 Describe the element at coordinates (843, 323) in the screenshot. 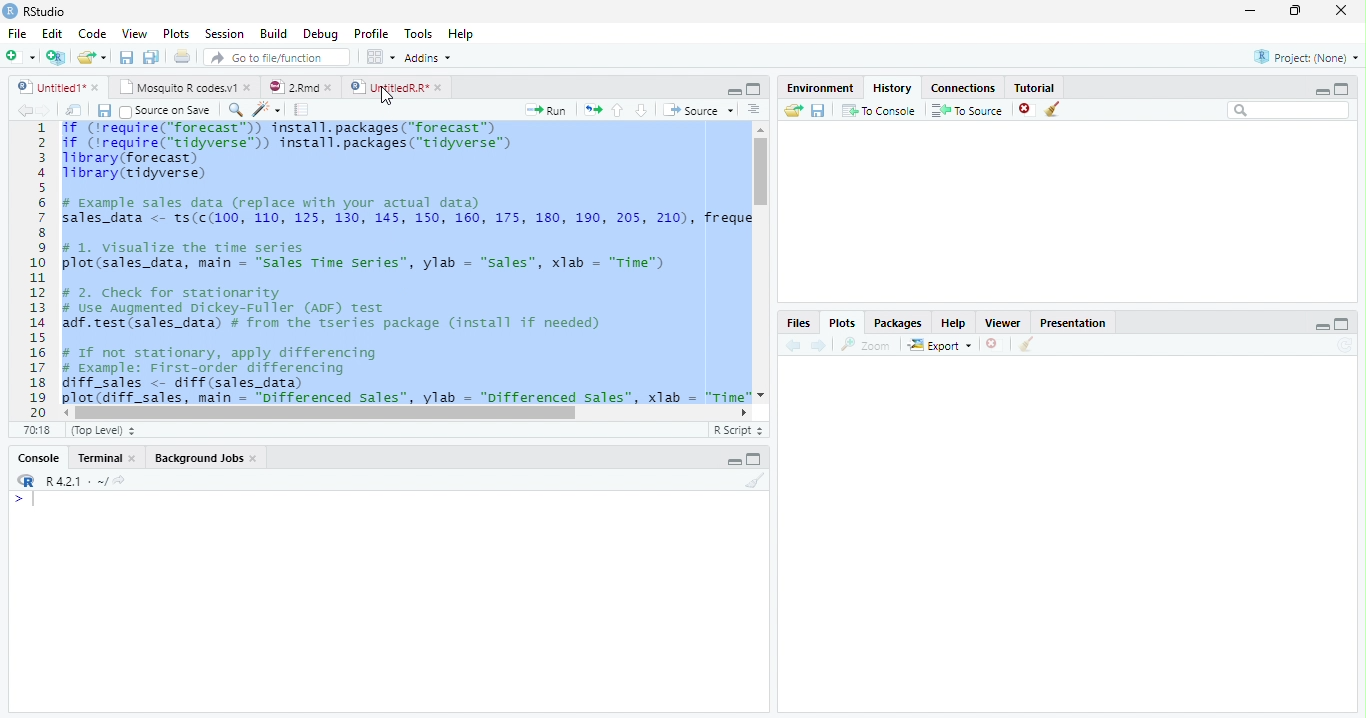

I see `Plots` at that location.